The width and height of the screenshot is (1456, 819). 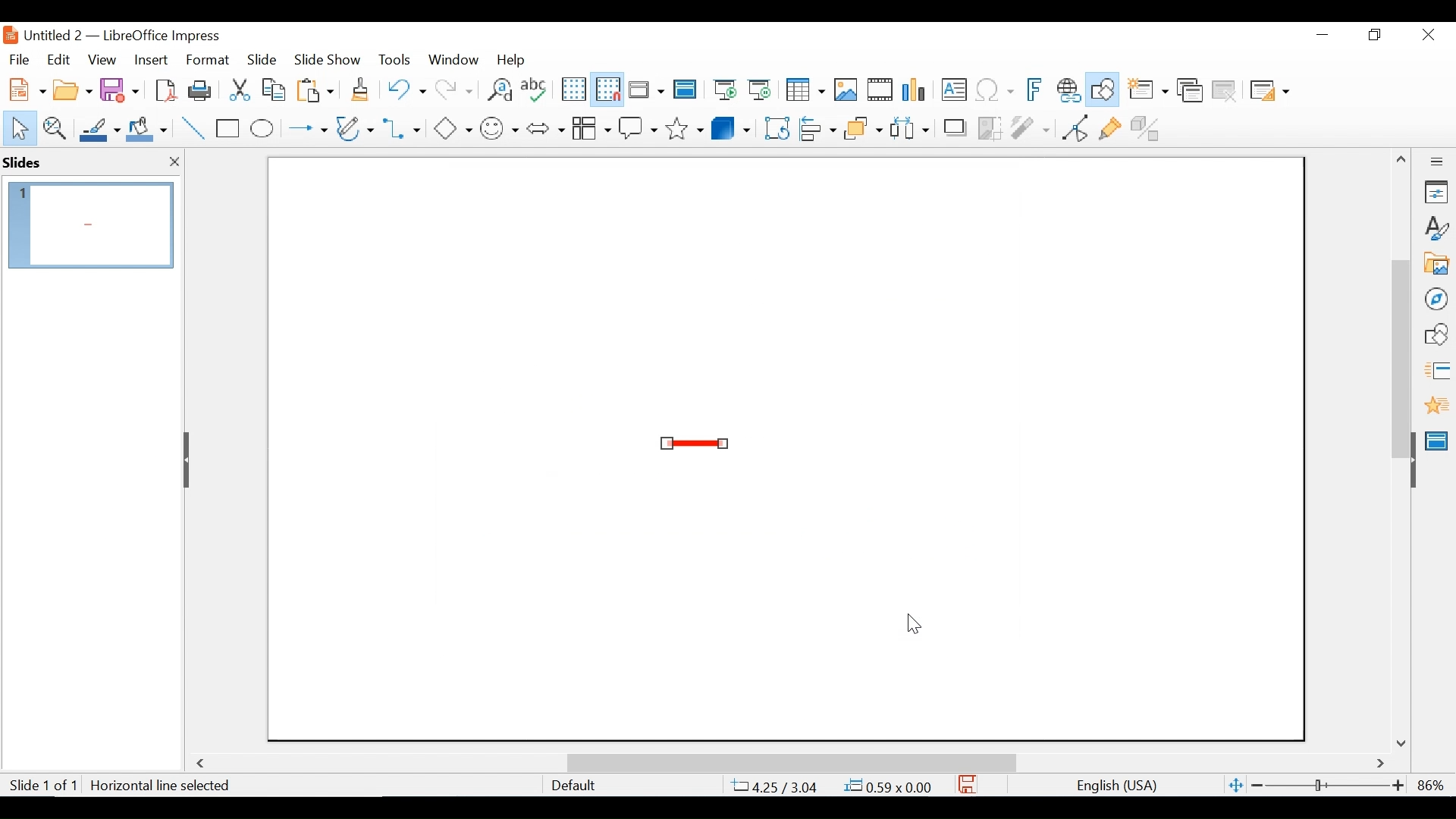 I want to click on English(USA), so click(x=1109, y=786).